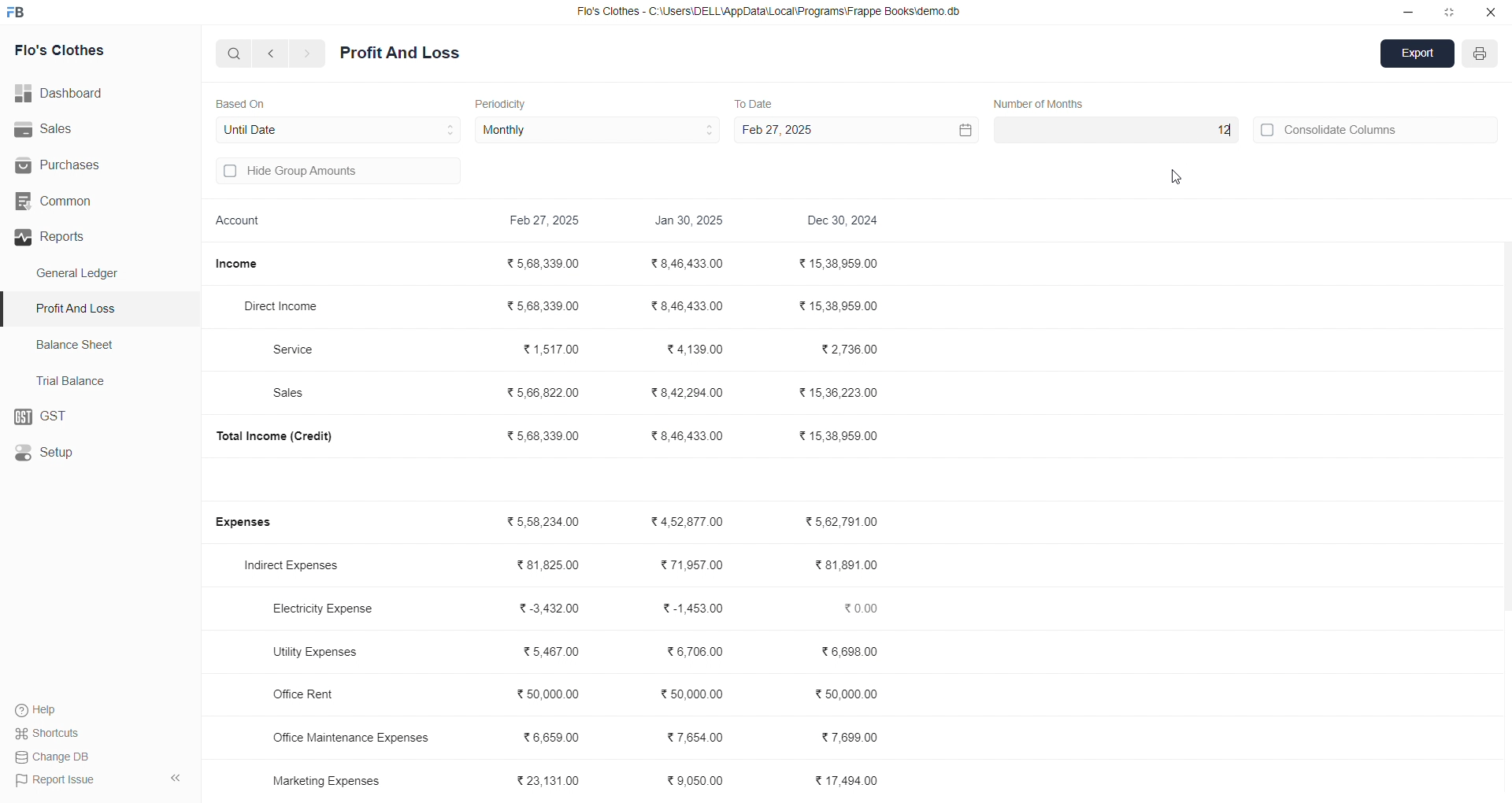 This screenshot has width=1512, height=803. Describe the element at coordinates (690, 608) in the screenshot. I see `₹-1,453.00` at that location.